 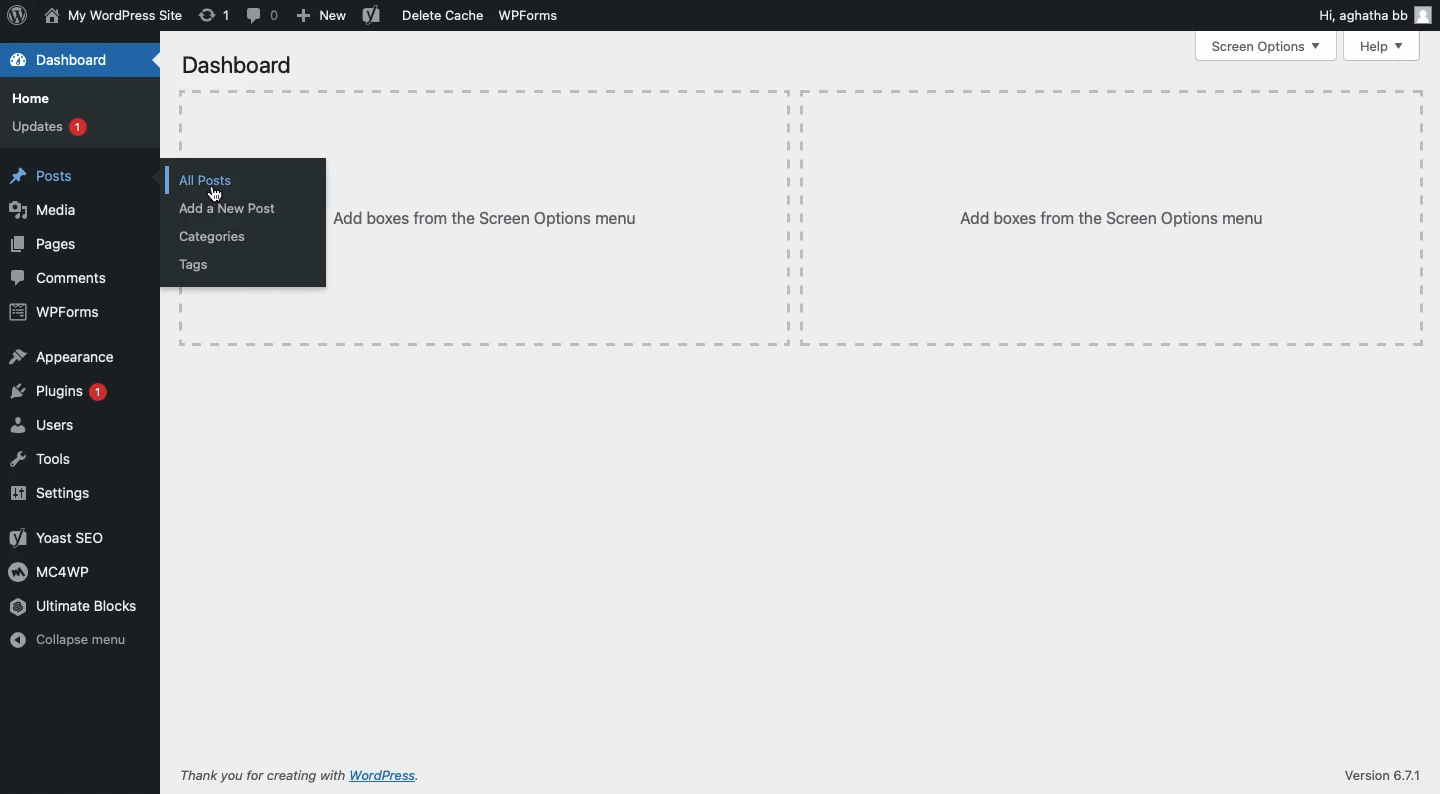 I want to click on Appearance, so click(x=65, y=357).